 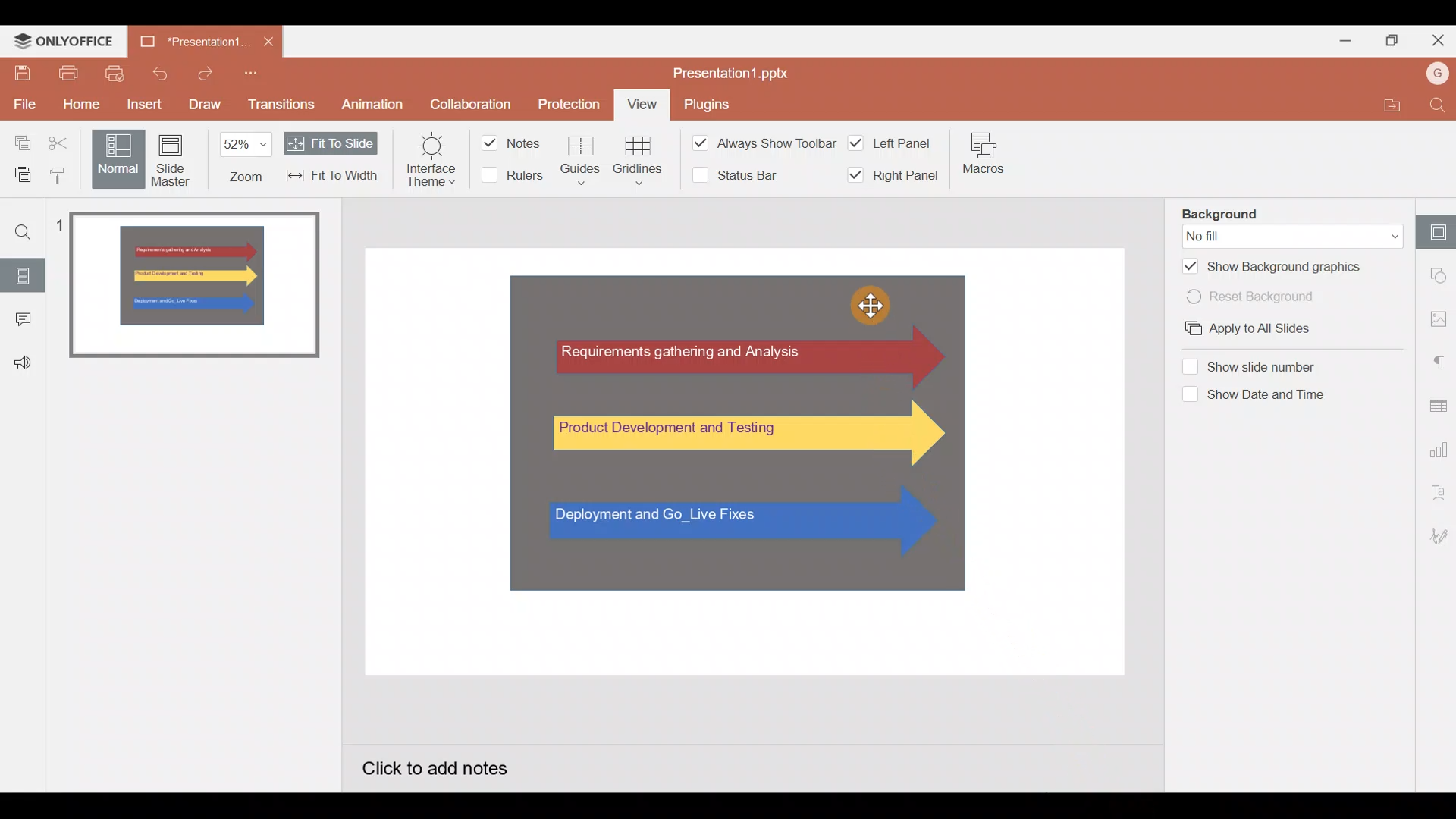 What do you see at coordinates (1269, 211) in the screenshot?
I see `Background` at bounding box center [1269, 211].